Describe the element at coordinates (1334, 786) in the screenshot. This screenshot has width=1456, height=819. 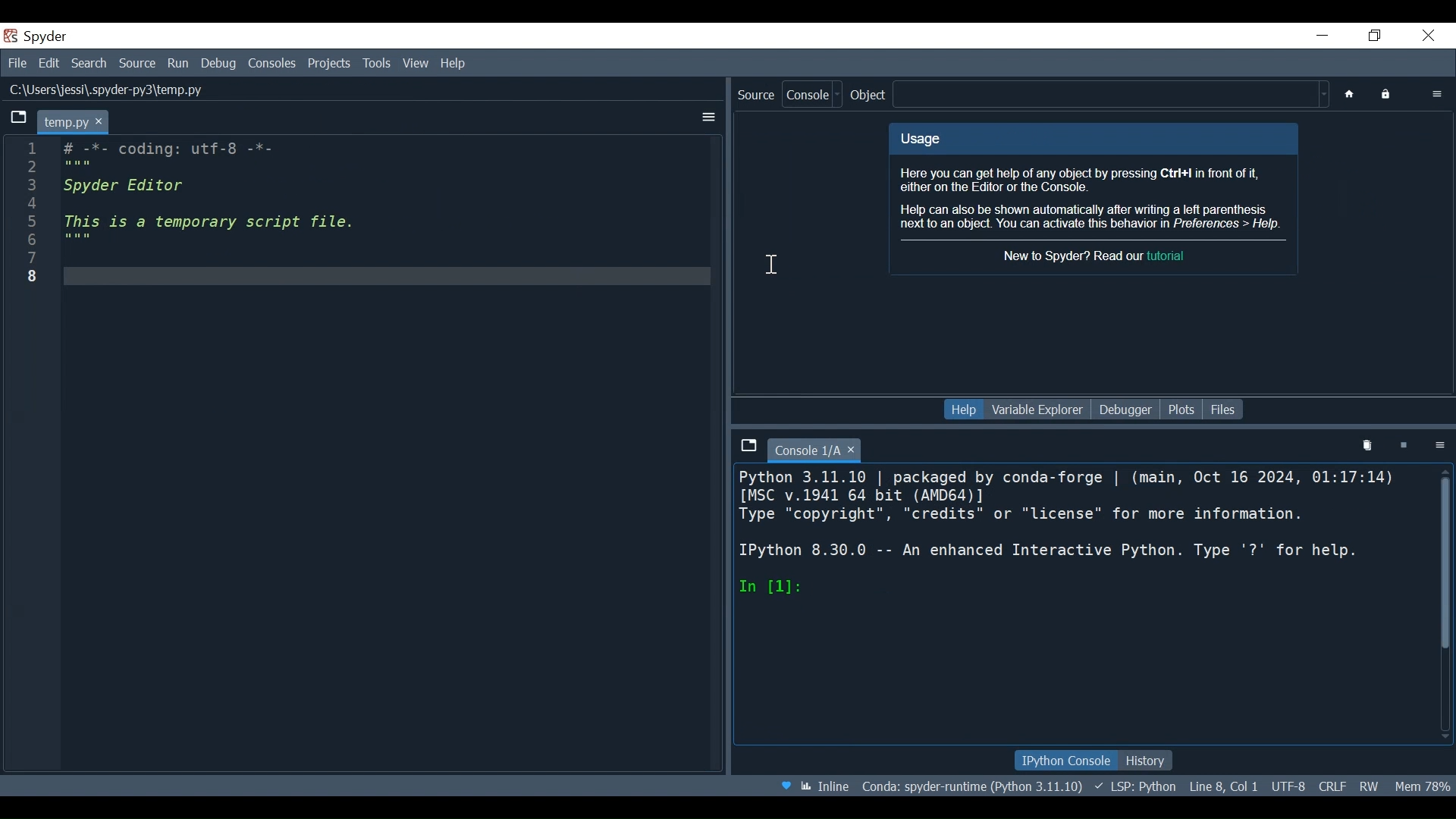
I see `File EQL Status` at that location.